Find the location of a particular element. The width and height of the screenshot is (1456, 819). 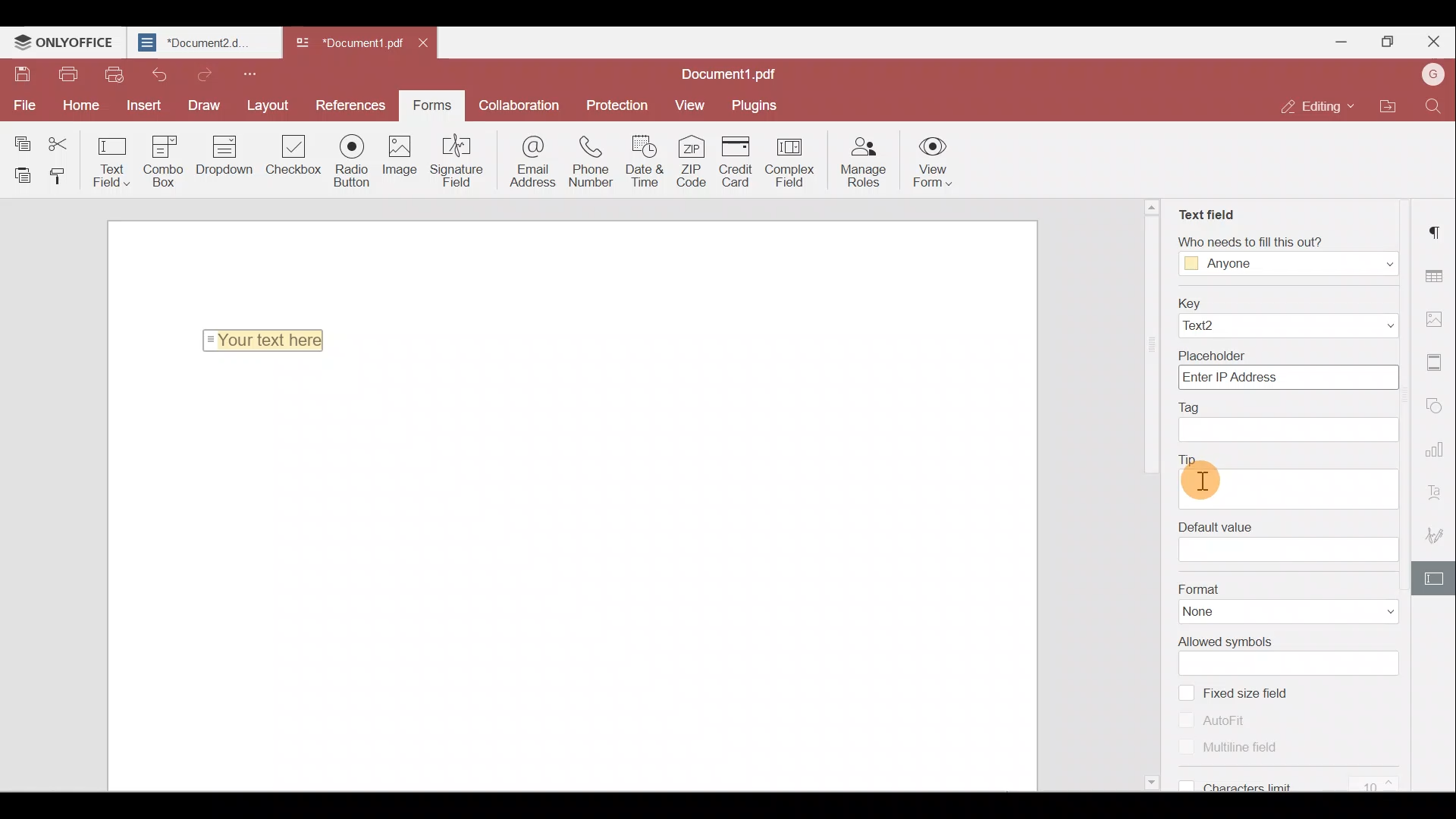

Shapes settings is located at coordinates (1438, 406).